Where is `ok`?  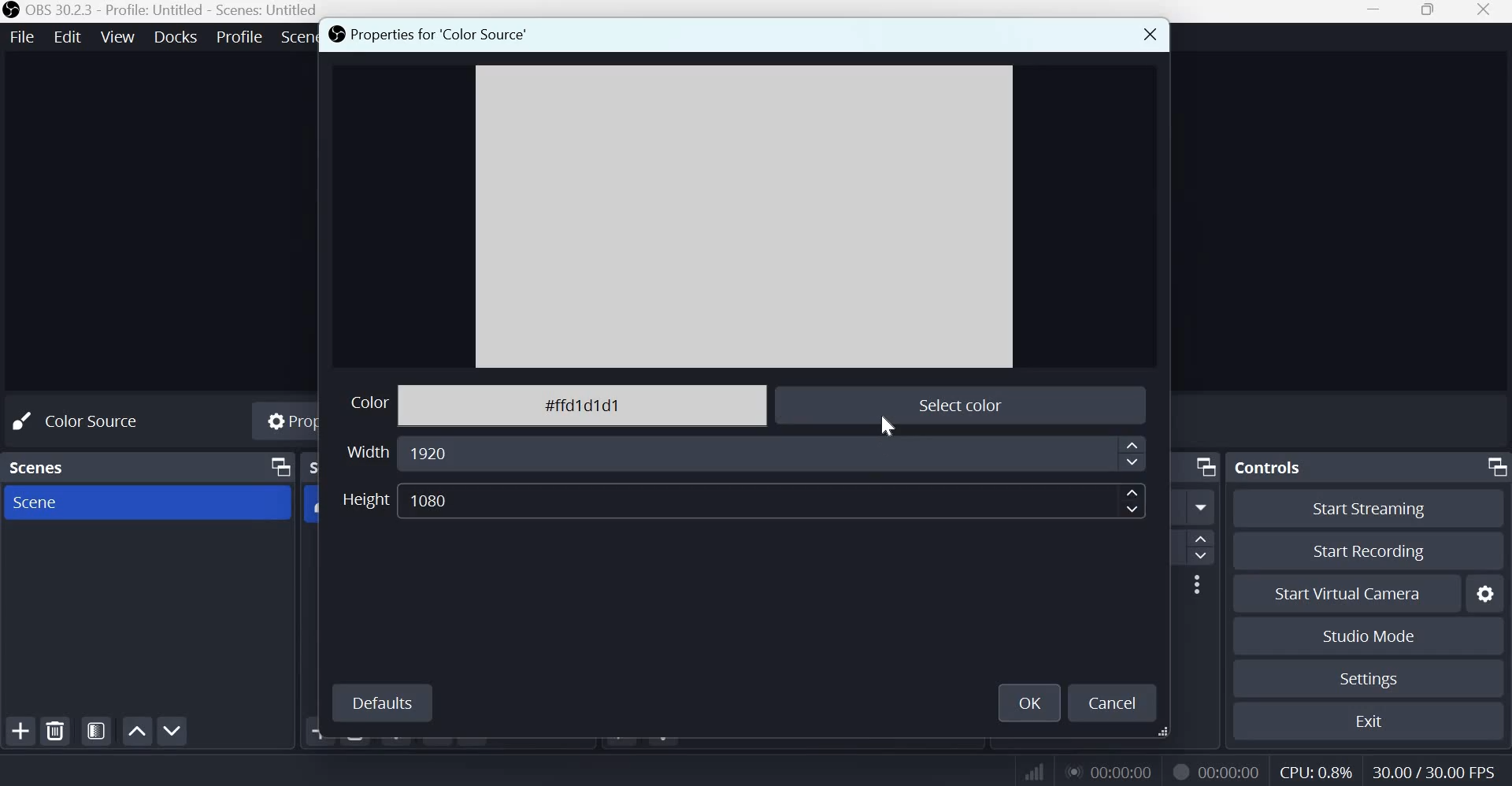 ok is located at coordinates (1031, 700).